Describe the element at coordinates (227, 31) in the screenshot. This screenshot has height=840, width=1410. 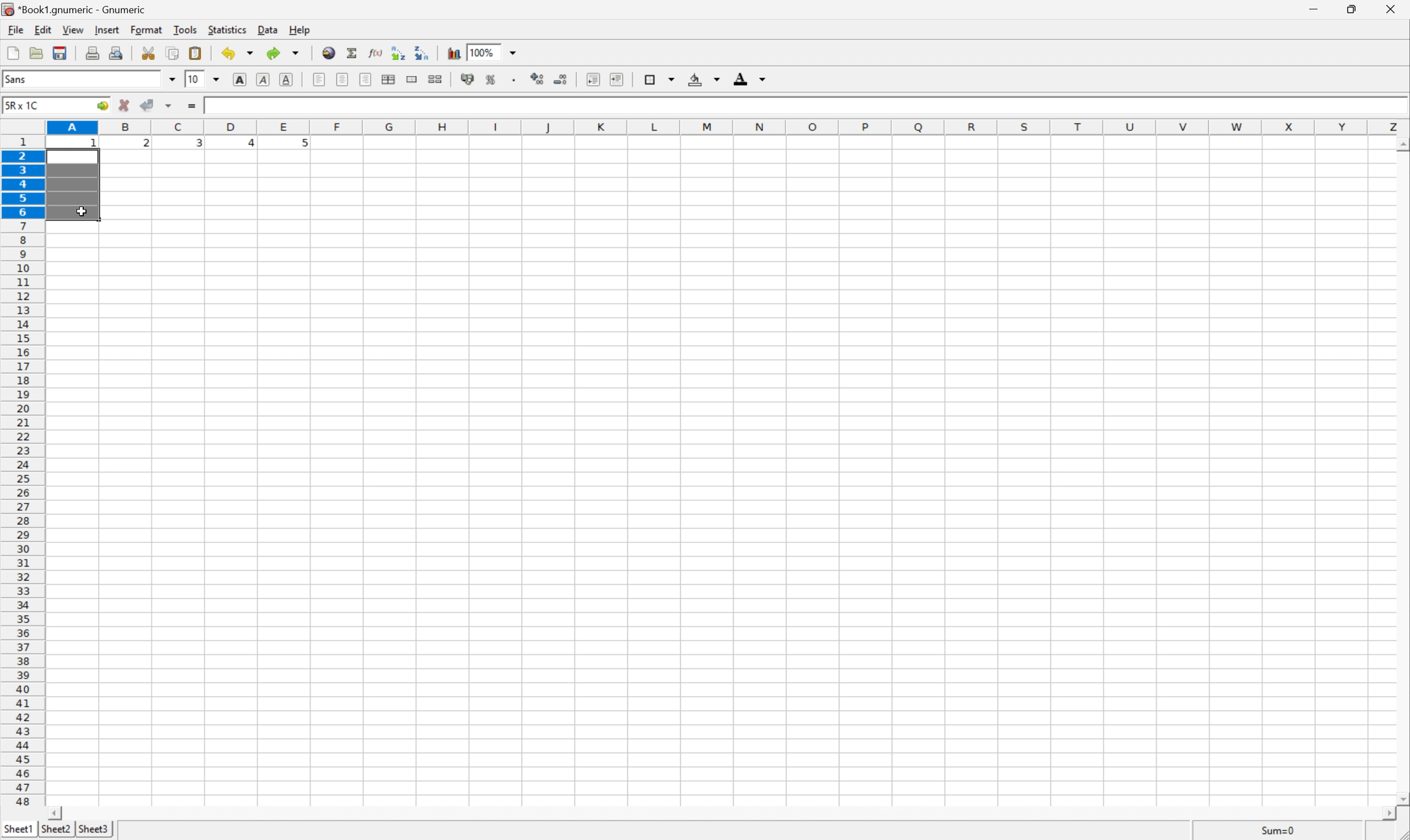
I see `statistics` at that location.